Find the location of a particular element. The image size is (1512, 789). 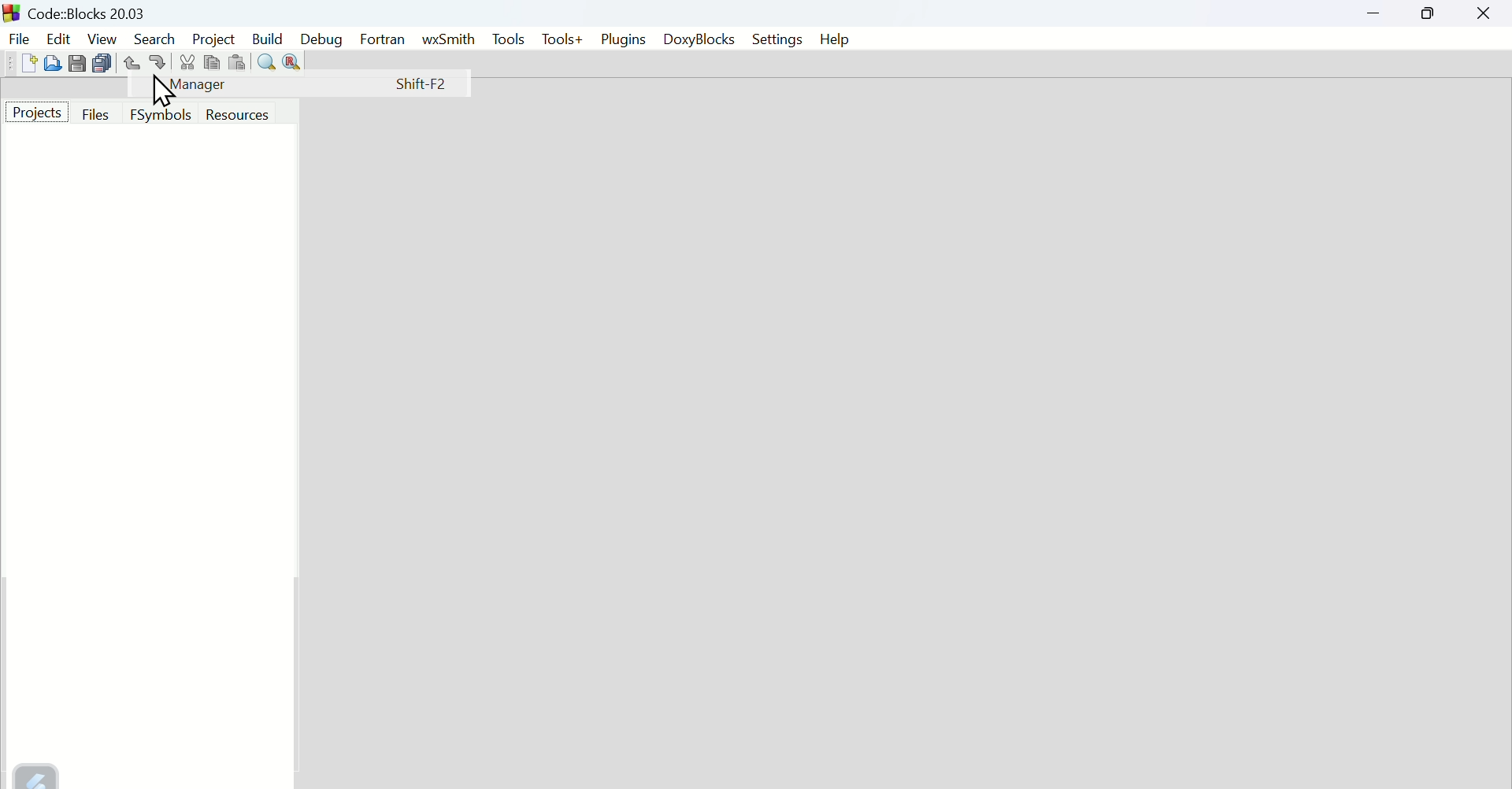

Search is located at coordinates (157, 39).